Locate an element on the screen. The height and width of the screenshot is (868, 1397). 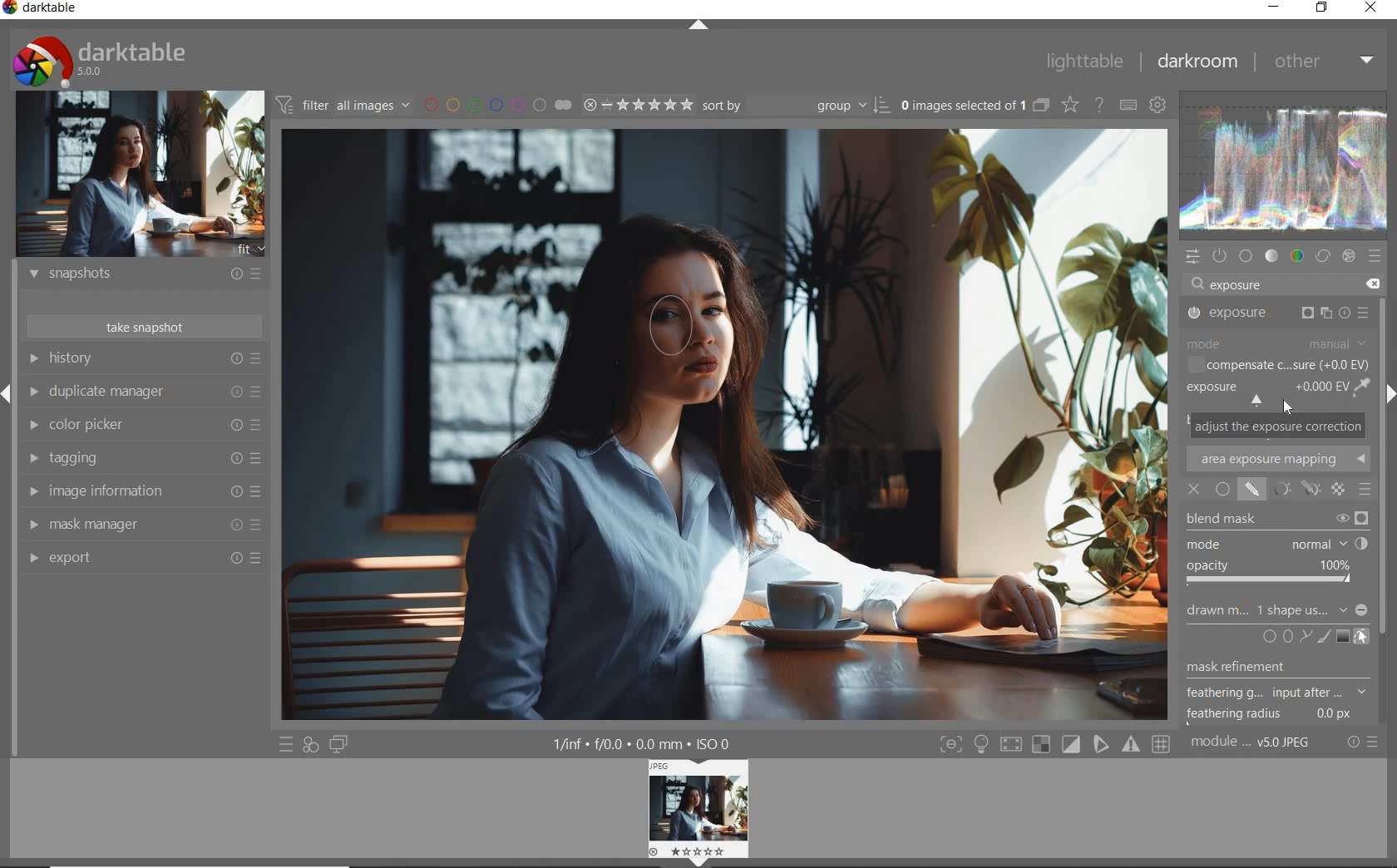
COMPENSATE C...SURE is located at coordinates (1279, 365).